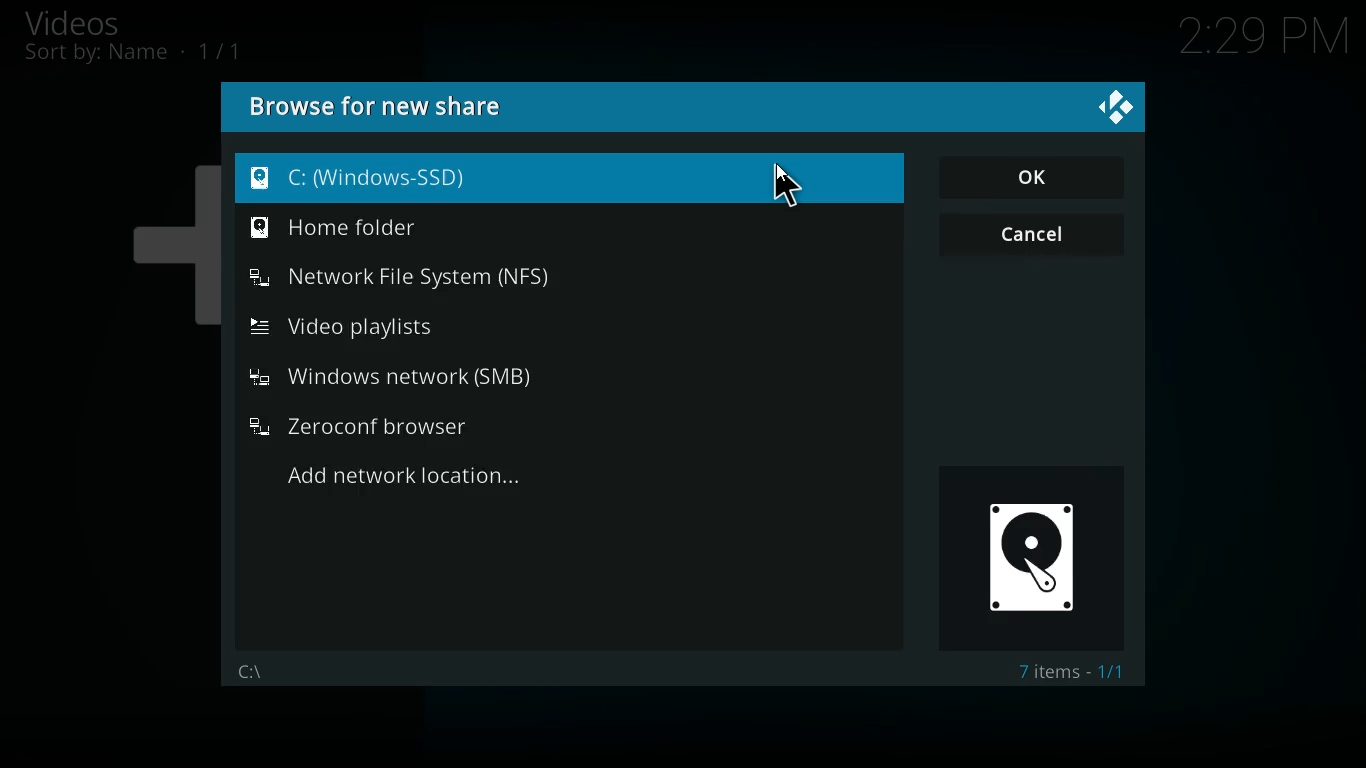 The height and width of the screenshot is (768, 1366). What do you see at coordinates (1034, 554) in the screenshot?
I see `Image` at bounding box center [1034, 554].